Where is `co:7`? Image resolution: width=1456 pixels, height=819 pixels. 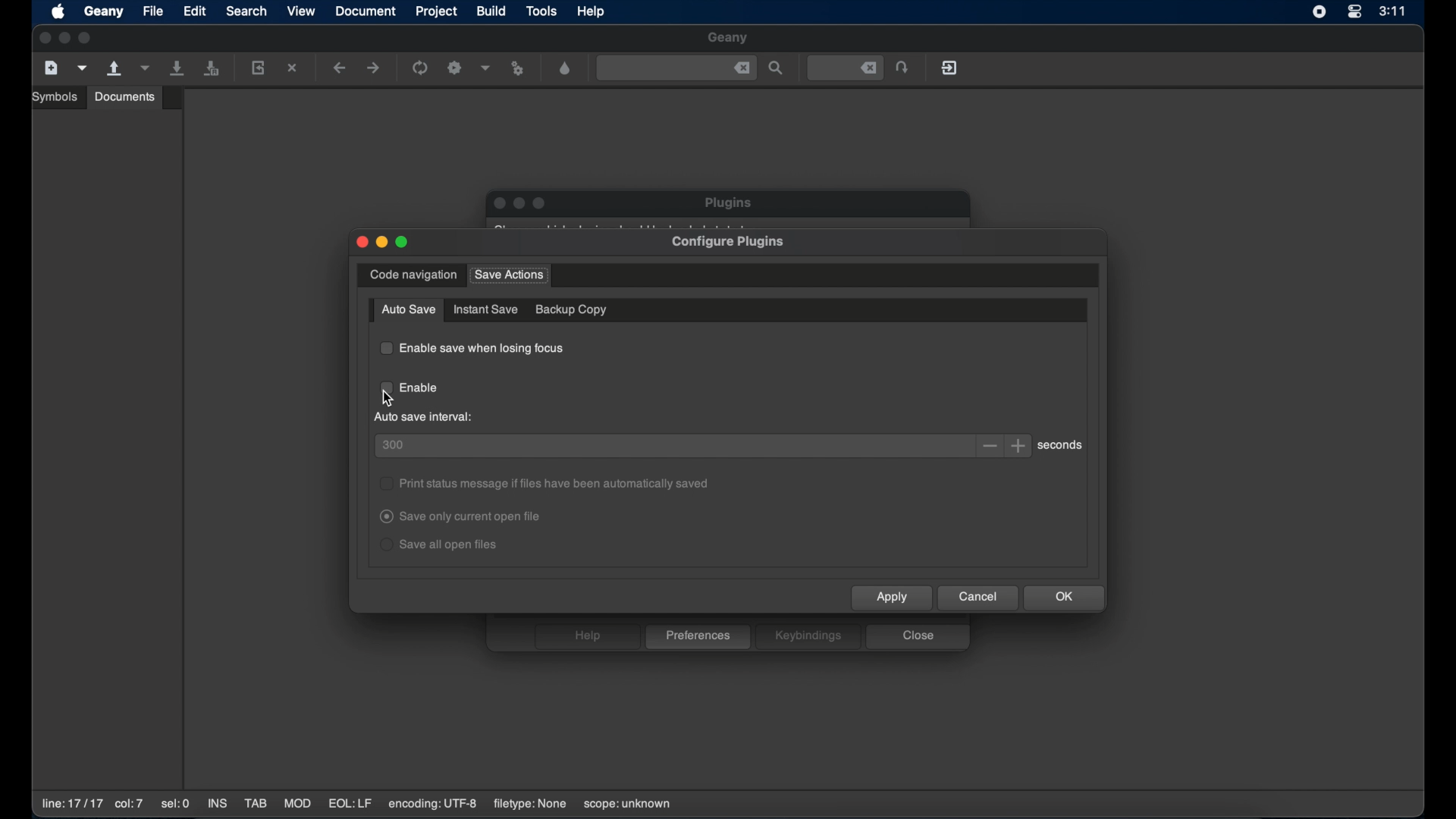
co:7 is located at coordinates (128, 805).